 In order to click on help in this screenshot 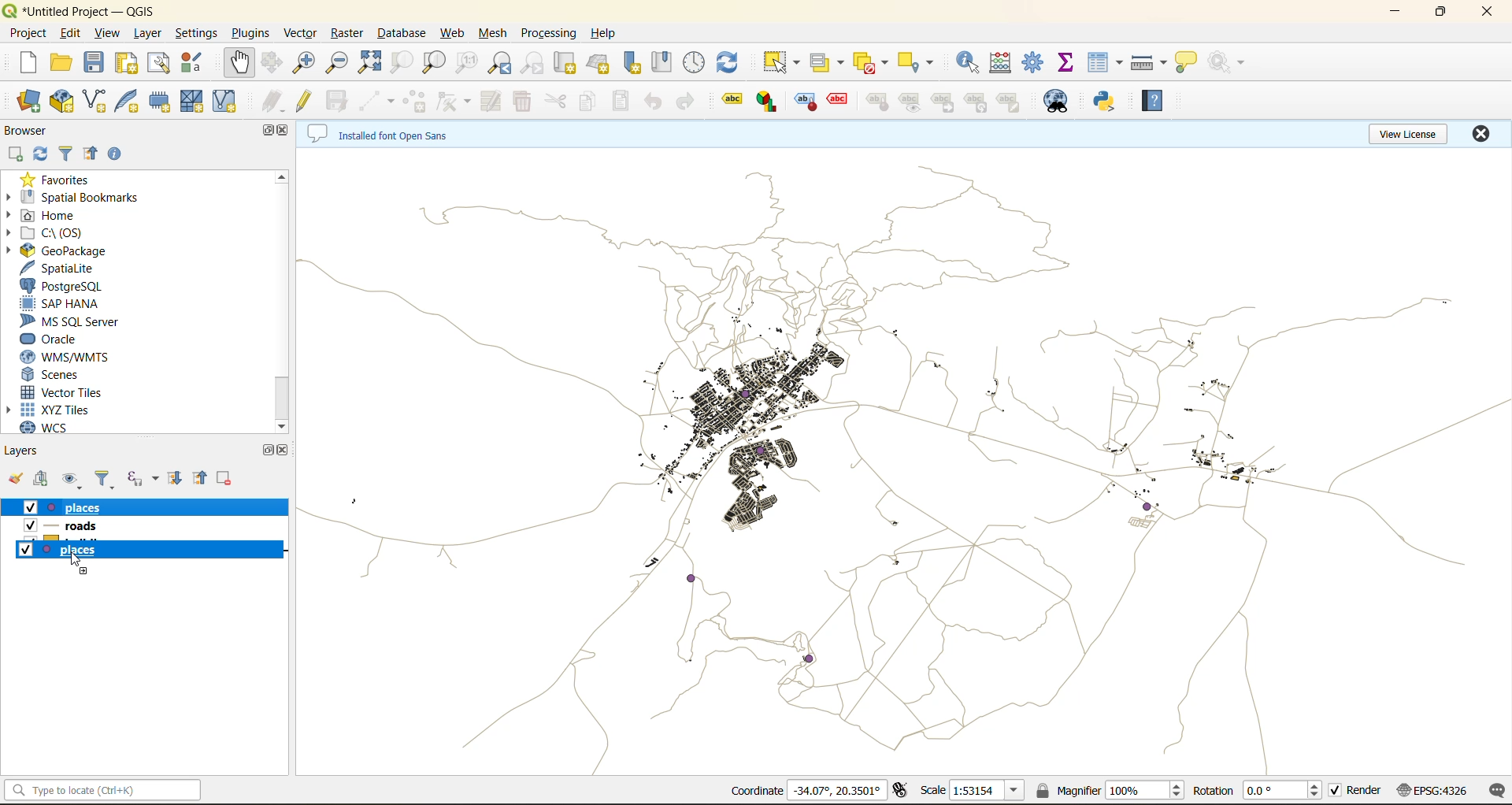, I will do `click(1158, 101)`.